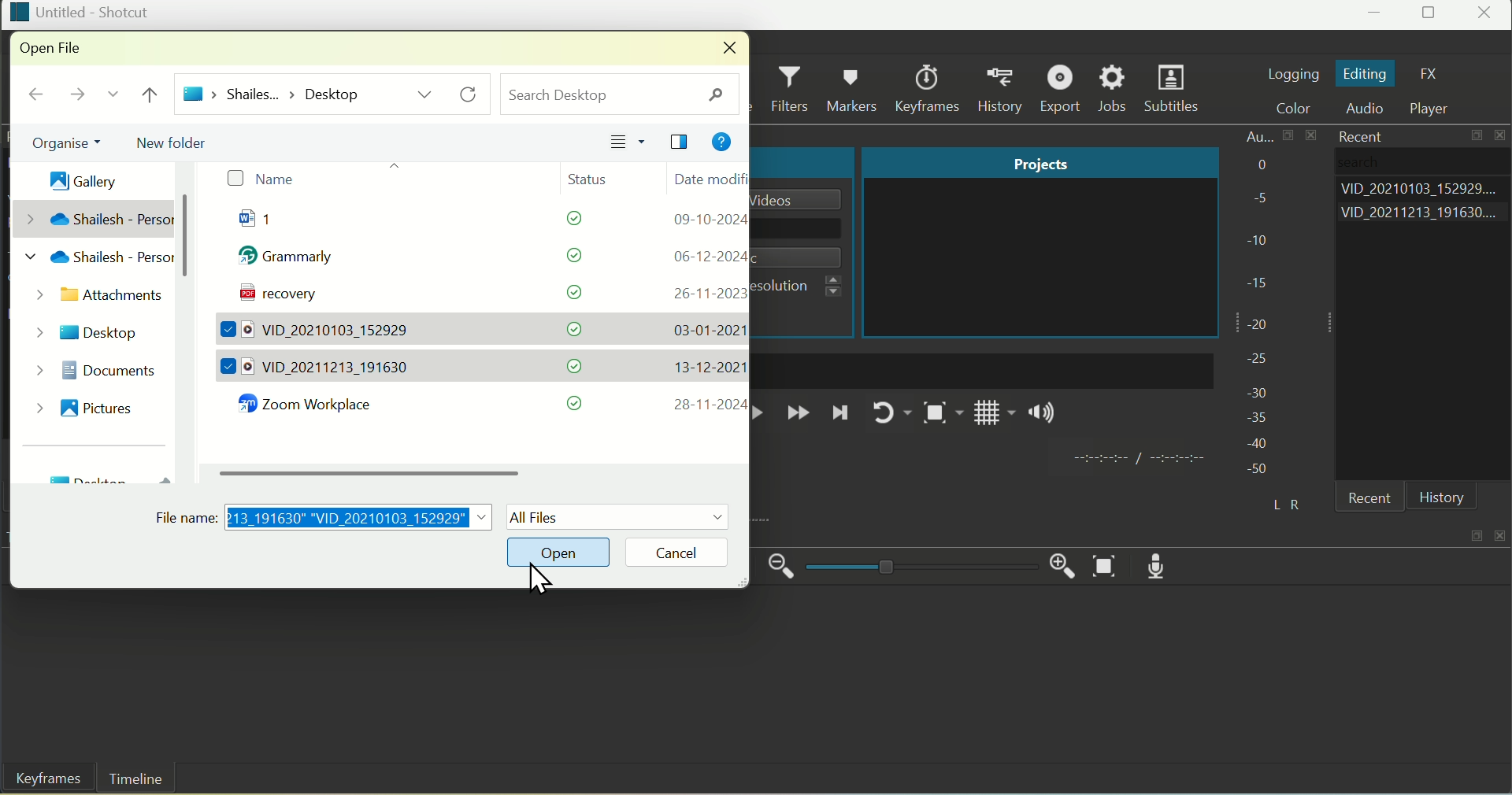  Describe the element at coordinates (703, 330) in the screenshot. I see `date` at that location.